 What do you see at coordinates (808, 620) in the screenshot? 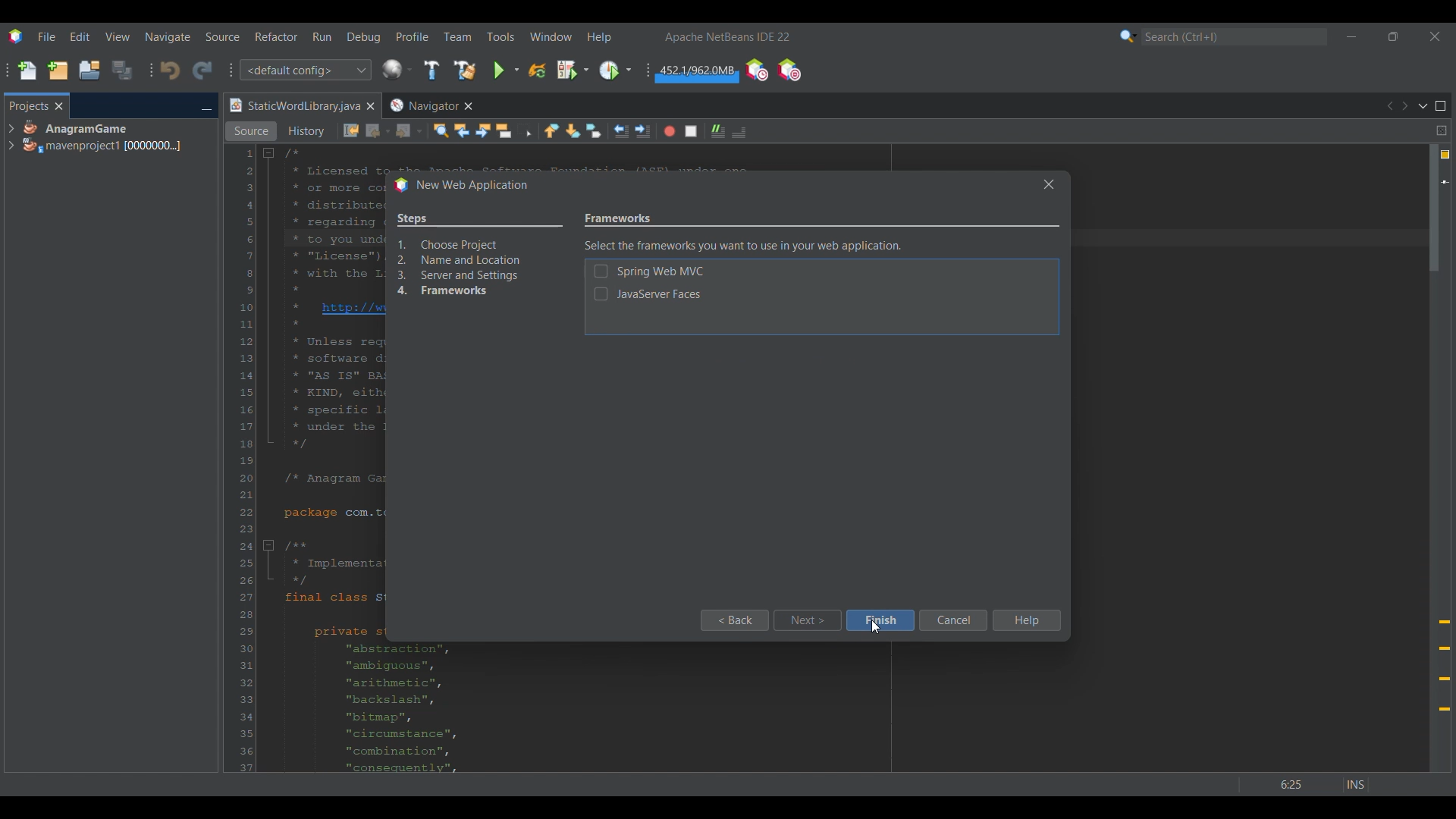
I see `Next highlighted by cursor` at bounding box center [808, 620].